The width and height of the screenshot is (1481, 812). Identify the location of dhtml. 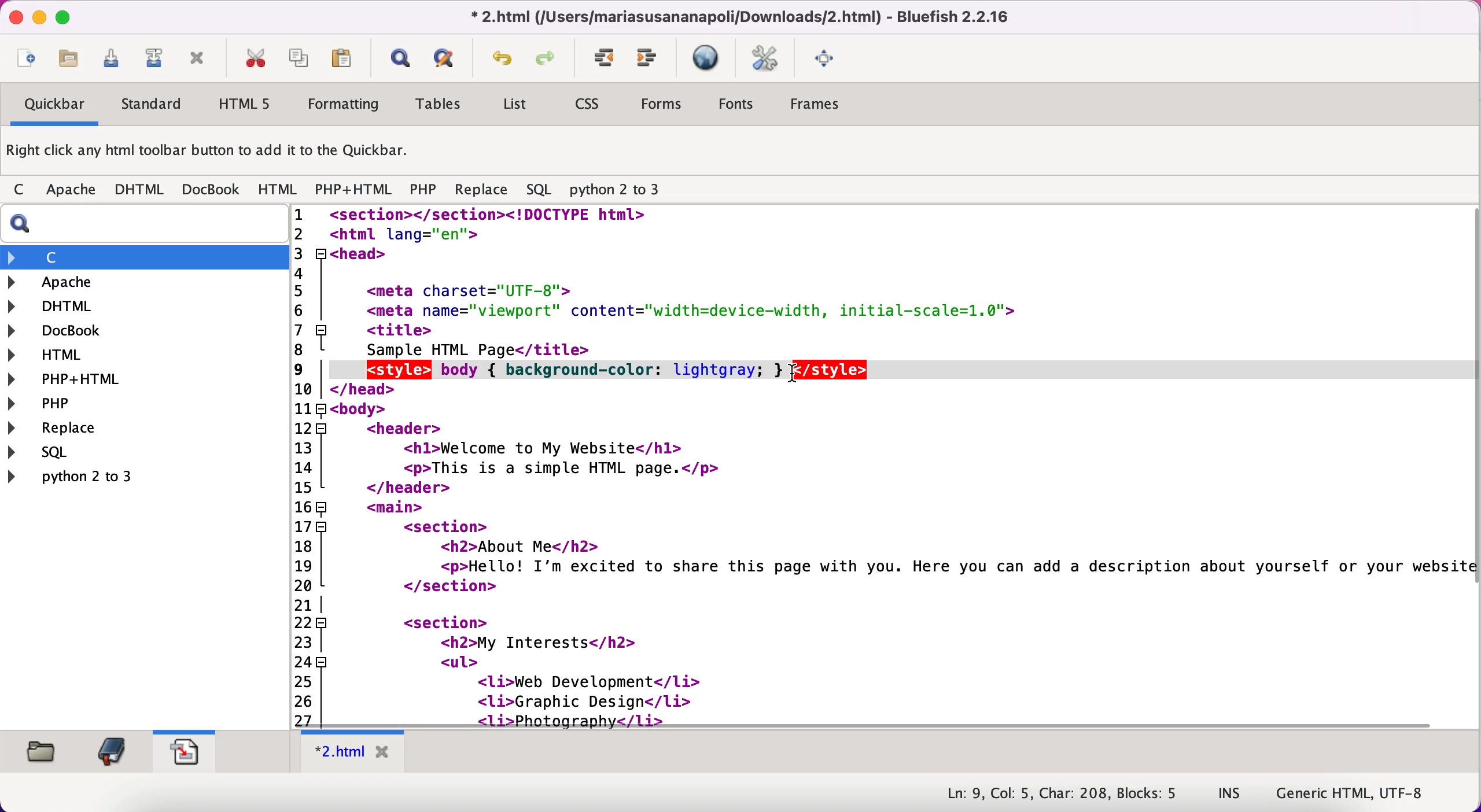
(58, 305).